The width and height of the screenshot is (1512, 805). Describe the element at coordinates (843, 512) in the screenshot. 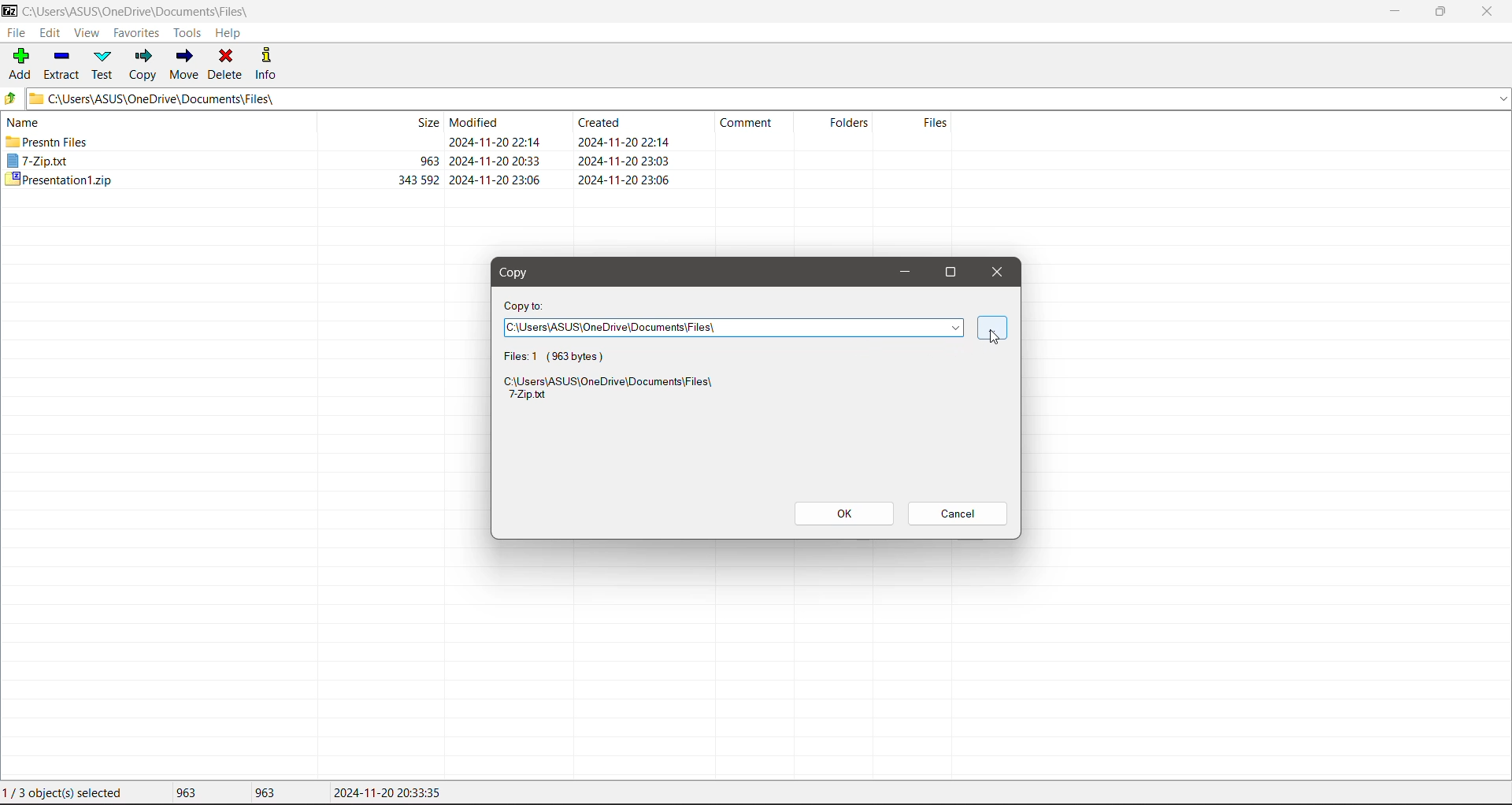

I see `OK` at that location.